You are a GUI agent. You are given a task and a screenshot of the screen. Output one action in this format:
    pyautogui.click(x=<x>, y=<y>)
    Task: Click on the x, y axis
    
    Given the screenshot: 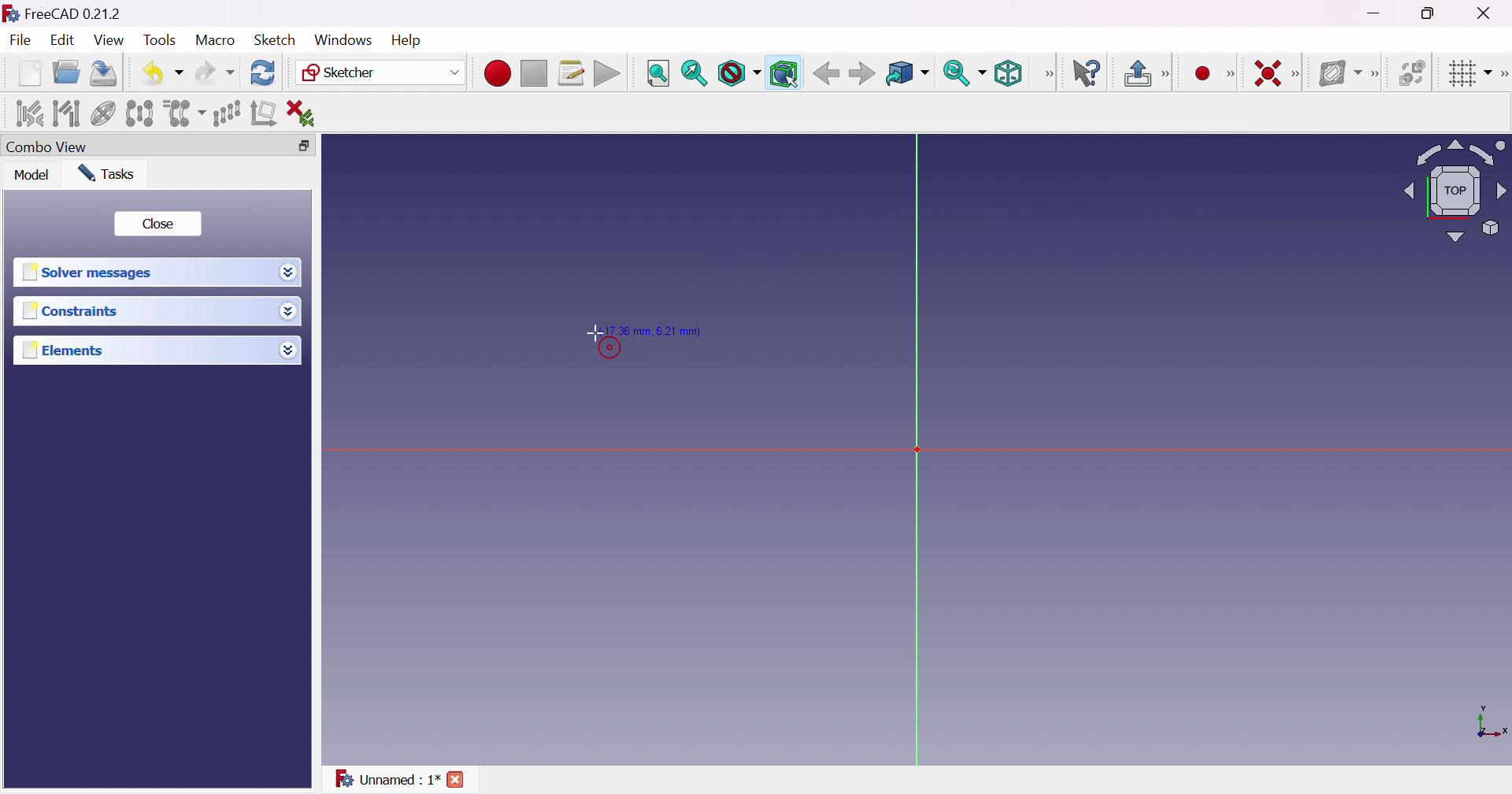 What is the action you would take?
    pyautogui.click(x=1490, y=724)
    